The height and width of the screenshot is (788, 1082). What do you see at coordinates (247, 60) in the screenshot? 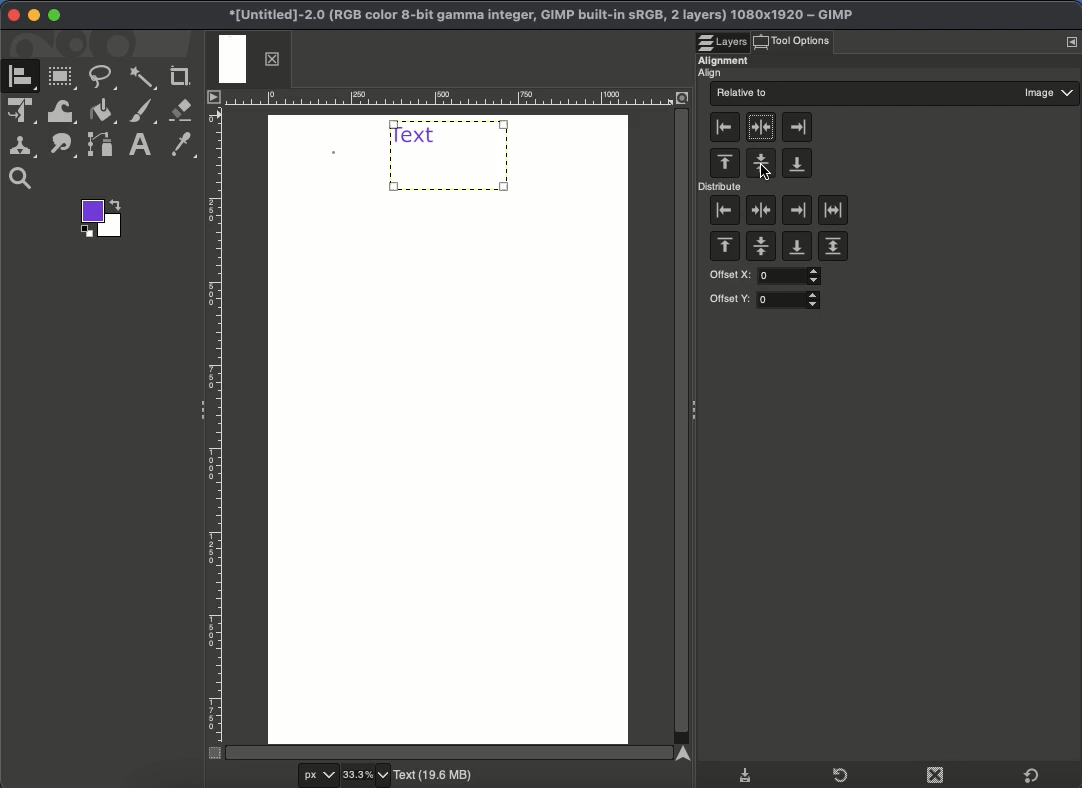
I see `Tab` at bounding box center [247, 60].